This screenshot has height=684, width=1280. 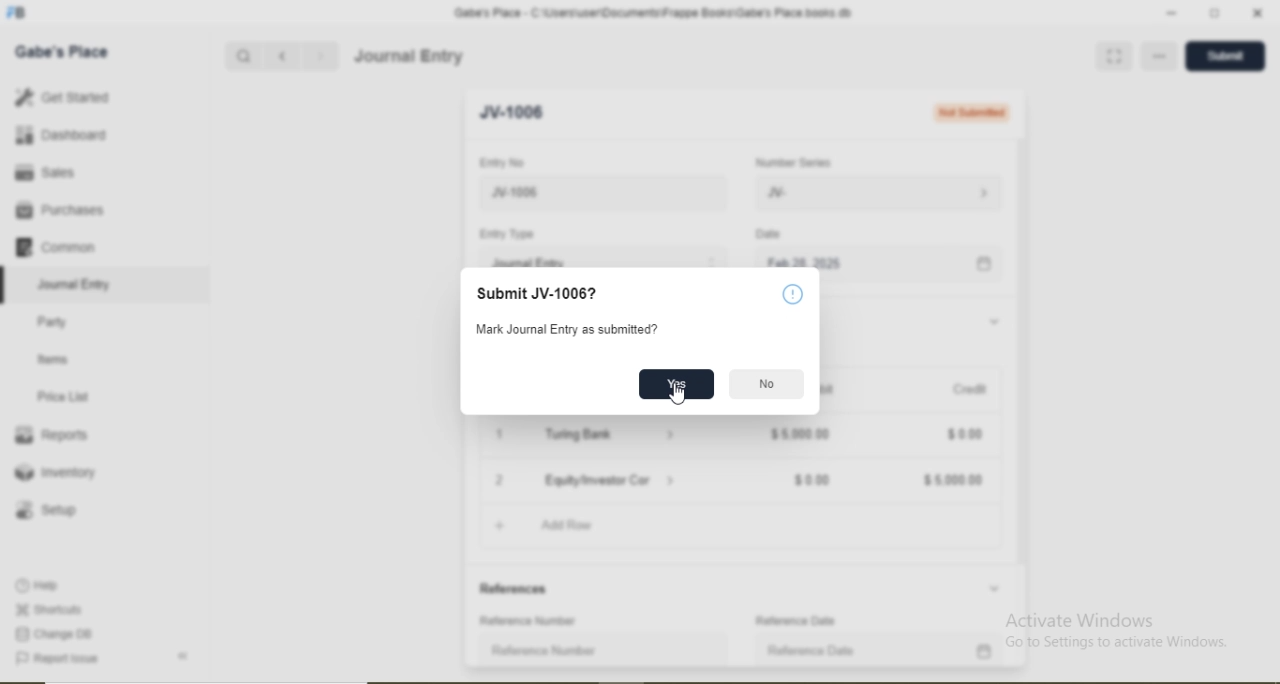 What do you see at coordinates (505, 234) in the screenshot?
I see `Entry Type` at bounding box center [505, 234].